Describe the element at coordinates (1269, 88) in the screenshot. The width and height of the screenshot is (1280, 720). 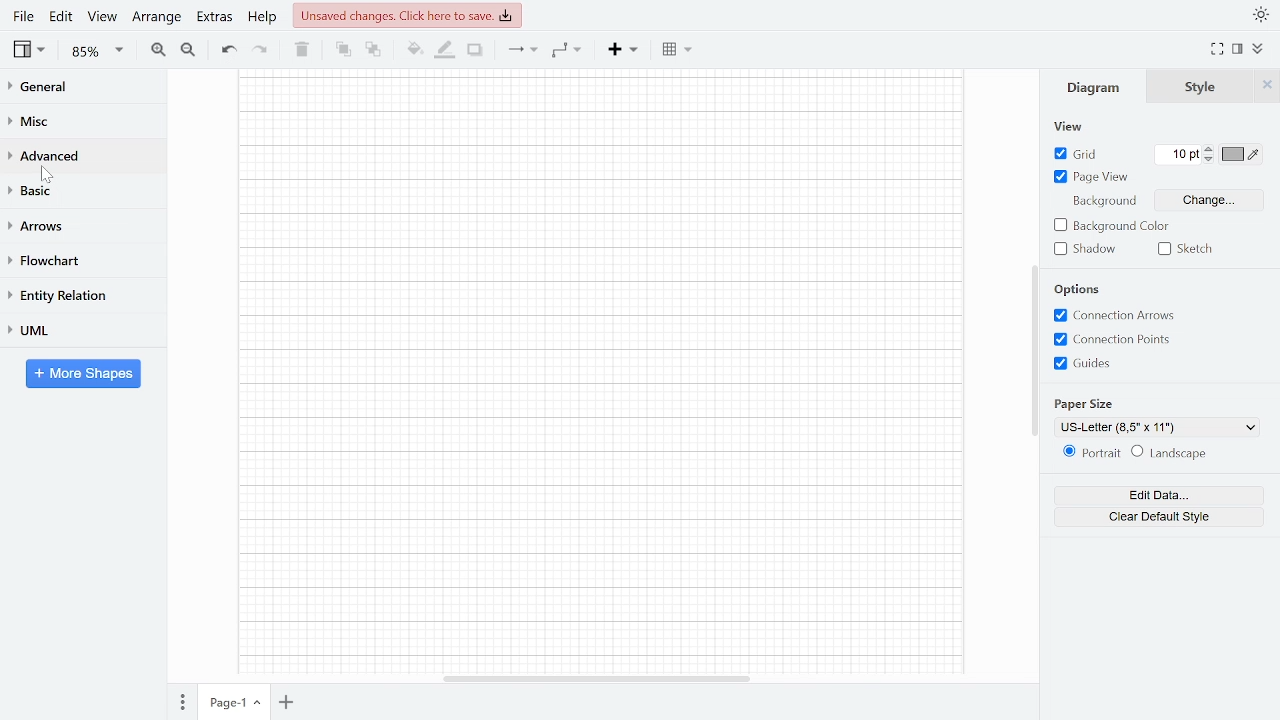
I see `Close` at that location.